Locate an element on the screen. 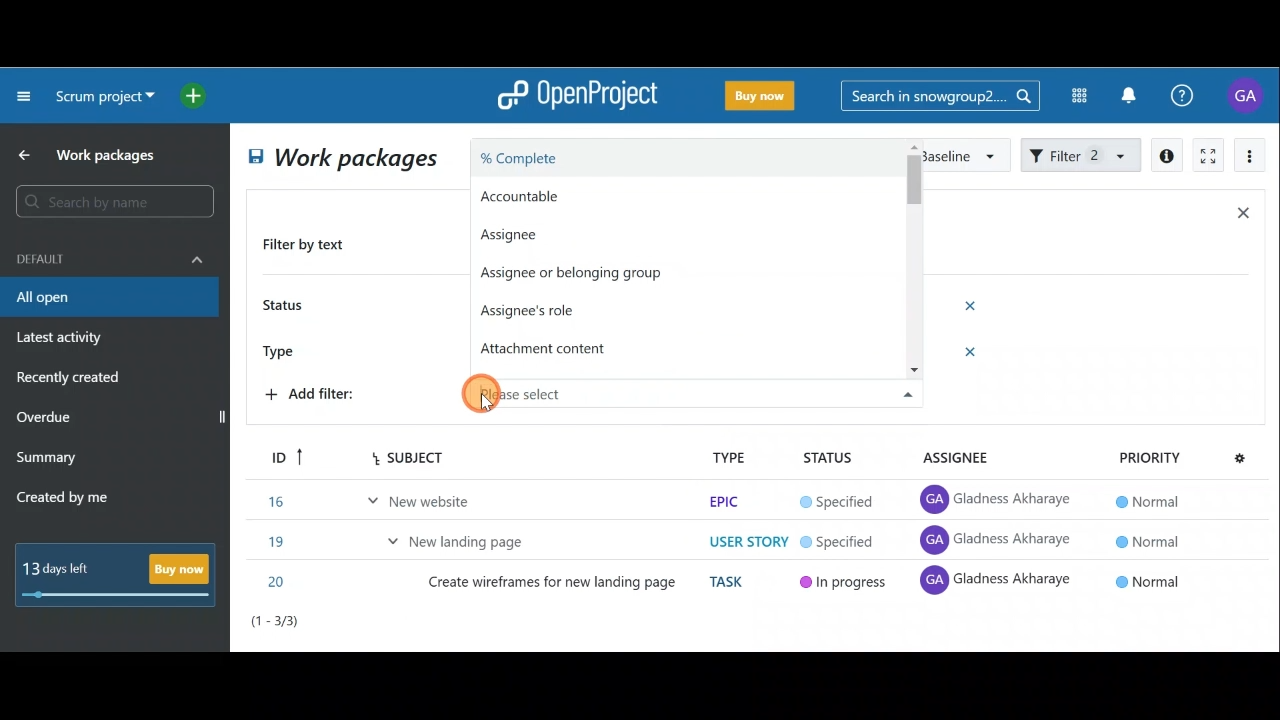  Item 14 is located at coordinates (383, 497).